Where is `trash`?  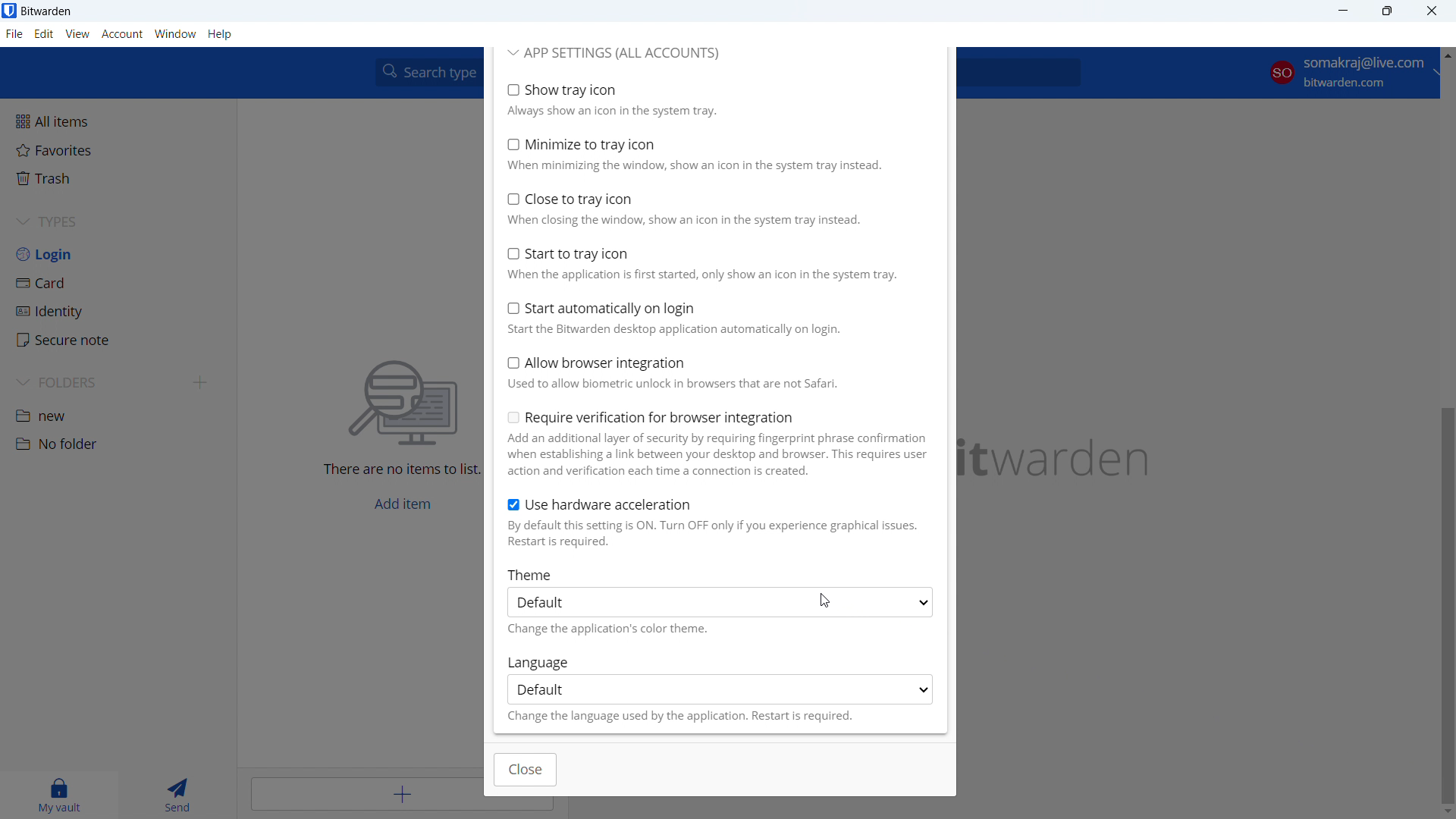
trash is located at coordinates (116, 178).